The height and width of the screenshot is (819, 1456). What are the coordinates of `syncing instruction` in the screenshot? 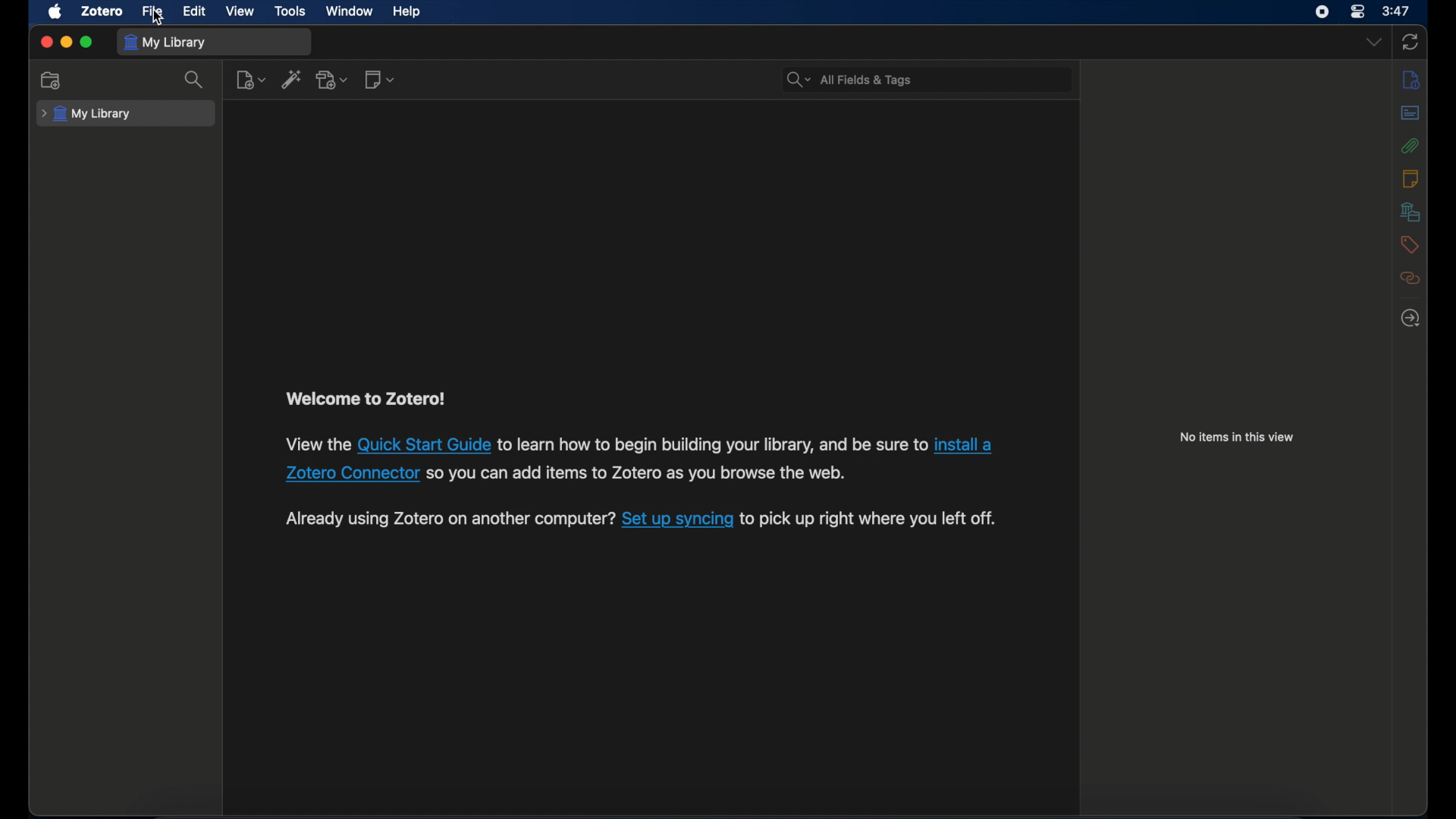 It's located at (449, 519).